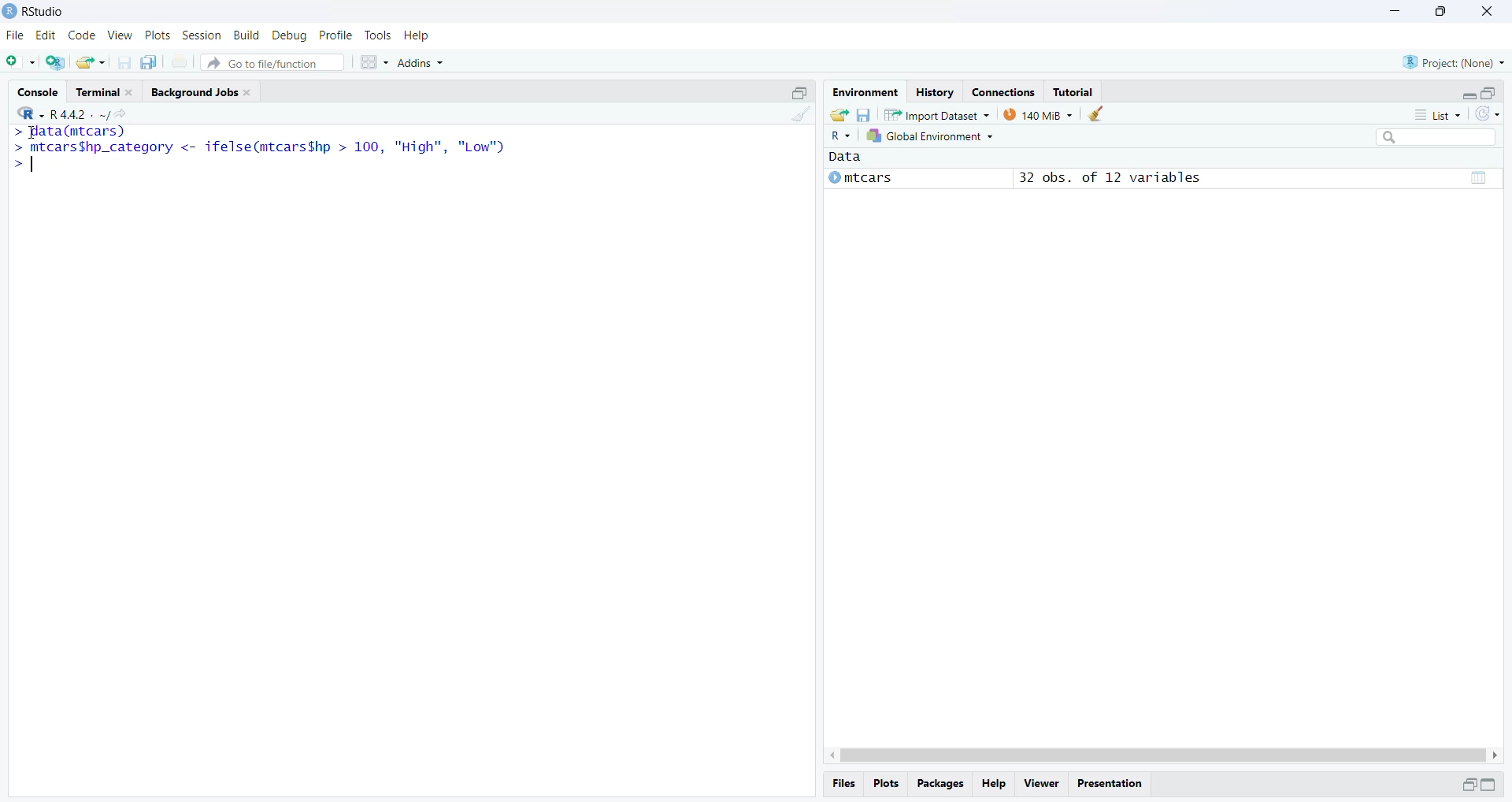 The image size is (1512, 802). What do you see at coordinates (180, 65) in the screenshot?
I see `Print the current file` at bounding box center [180, 65].